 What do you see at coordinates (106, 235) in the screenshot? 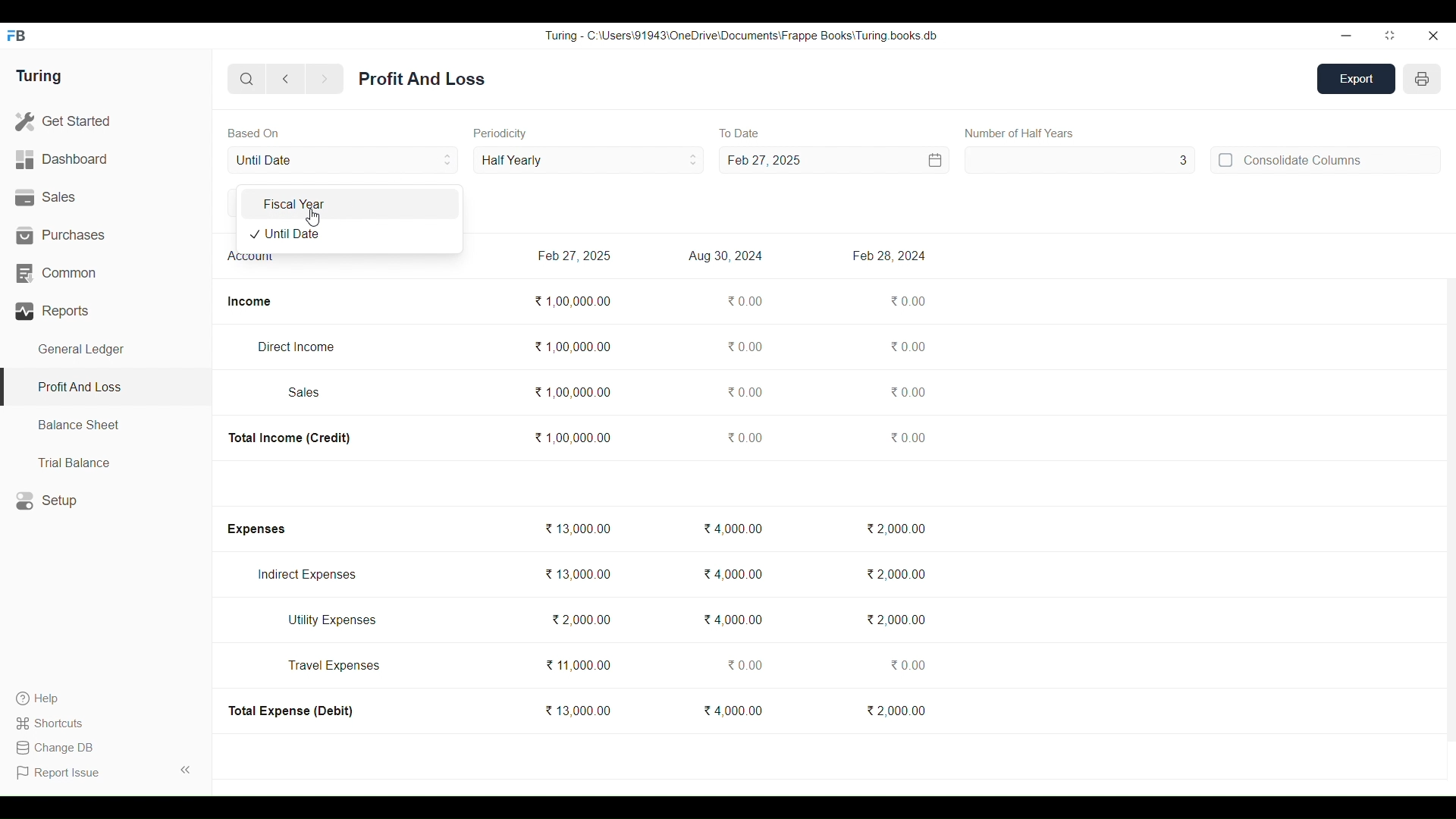
I see `Purchases` at bounding box center [106, 235].